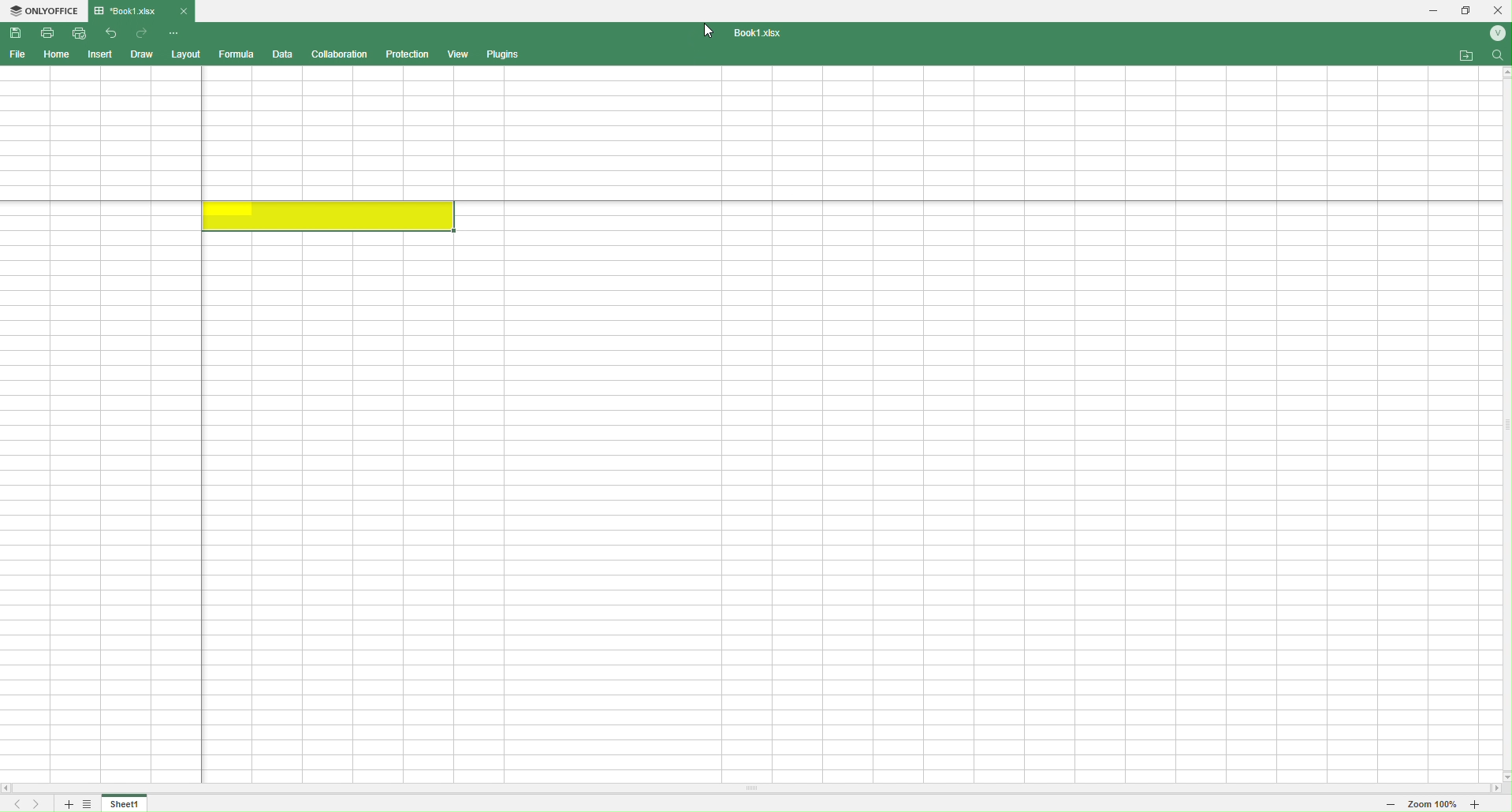 The height and width of the screenshot is (812, 1512). Describe the element at coordinates (17, 33) in the screenshot. I see `Save` at that location.